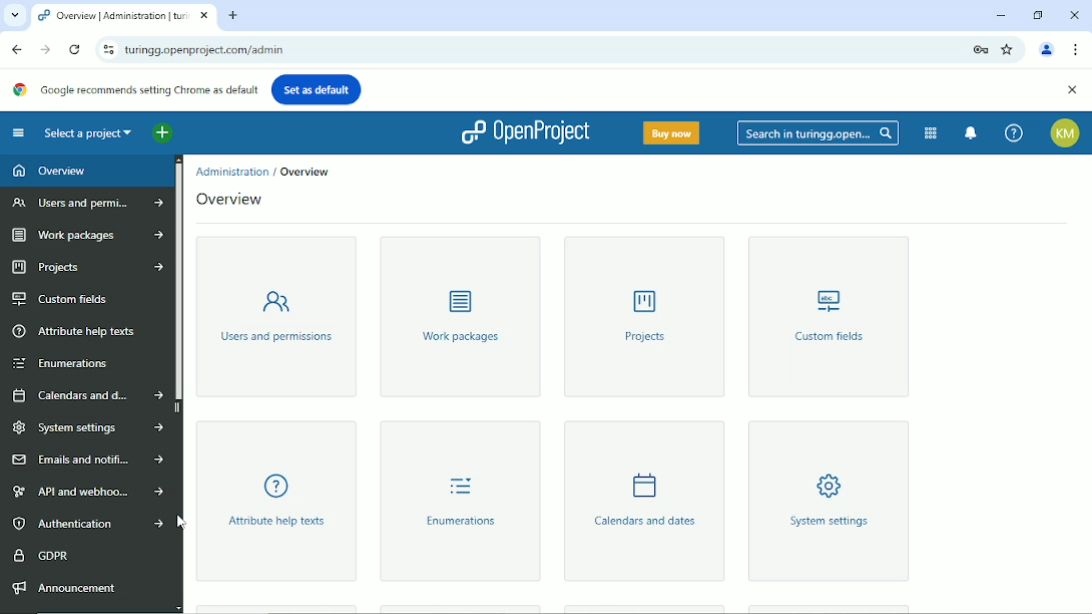 This screenshot has width=1092, height=614. I want to click on Close, so click(1074, 13).